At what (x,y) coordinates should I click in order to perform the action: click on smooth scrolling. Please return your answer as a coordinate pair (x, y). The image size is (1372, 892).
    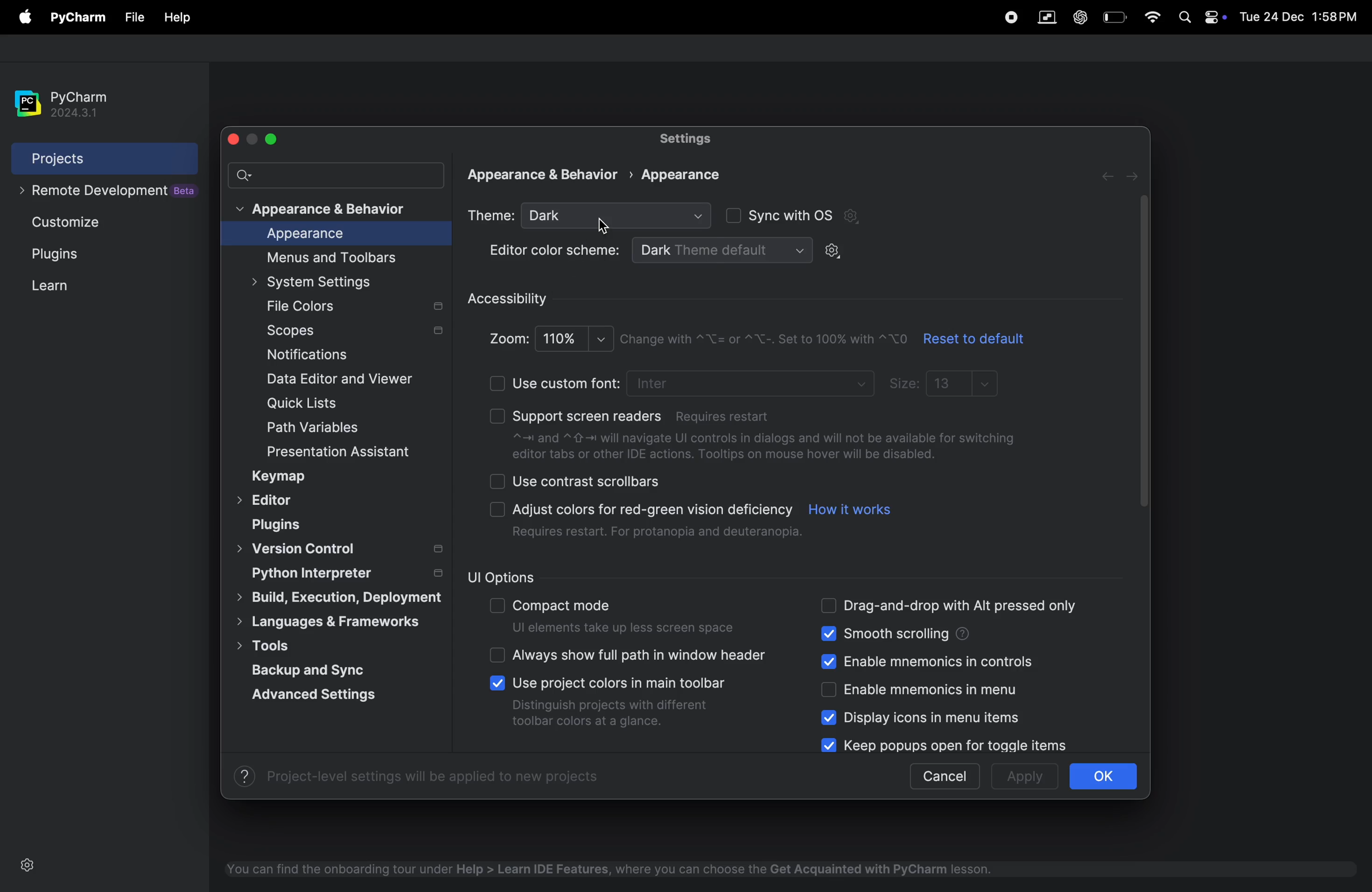
    Looking at the image, I should click on (910, 634).